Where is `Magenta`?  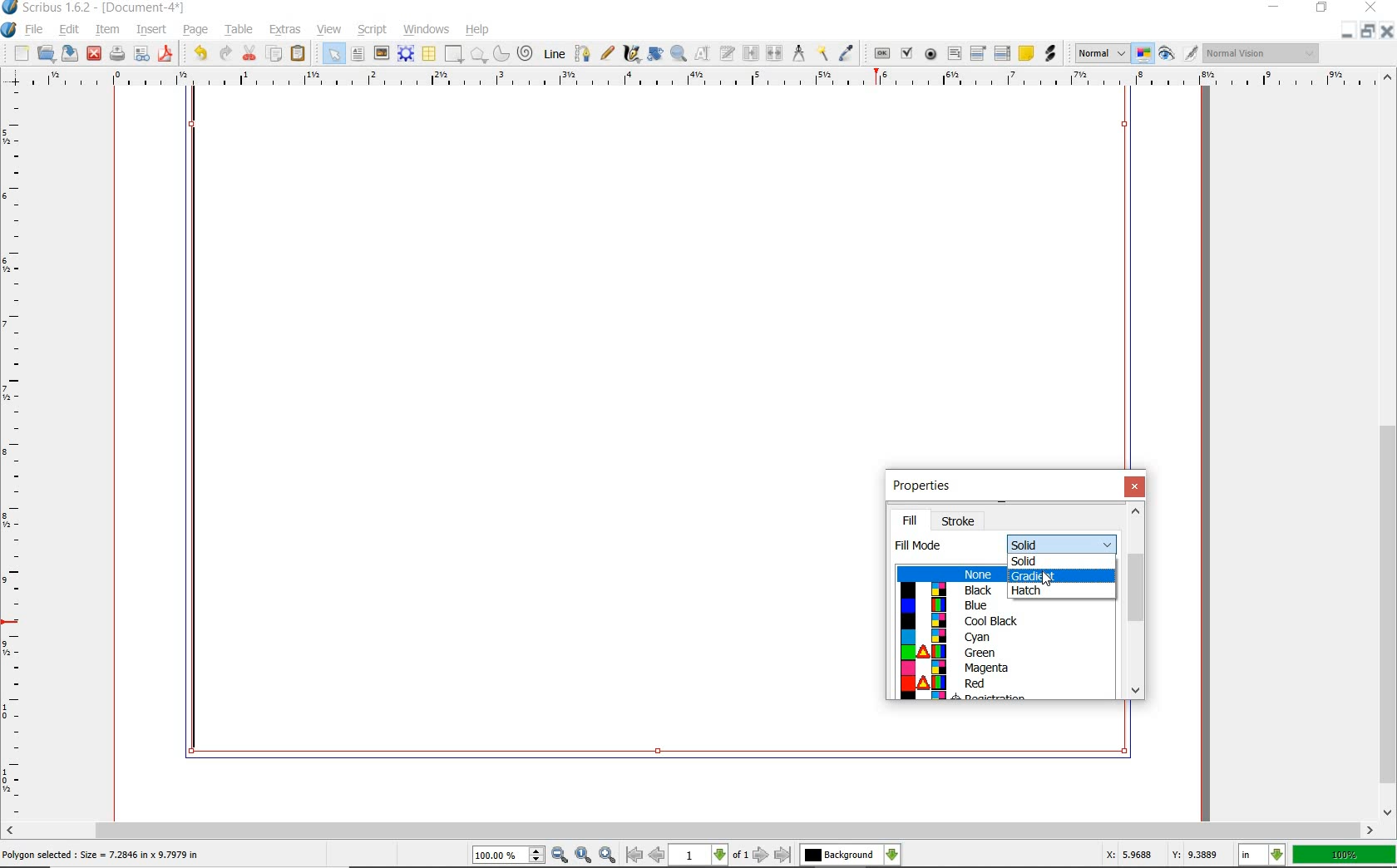
Magenta is located at coordinates (1002, 669).